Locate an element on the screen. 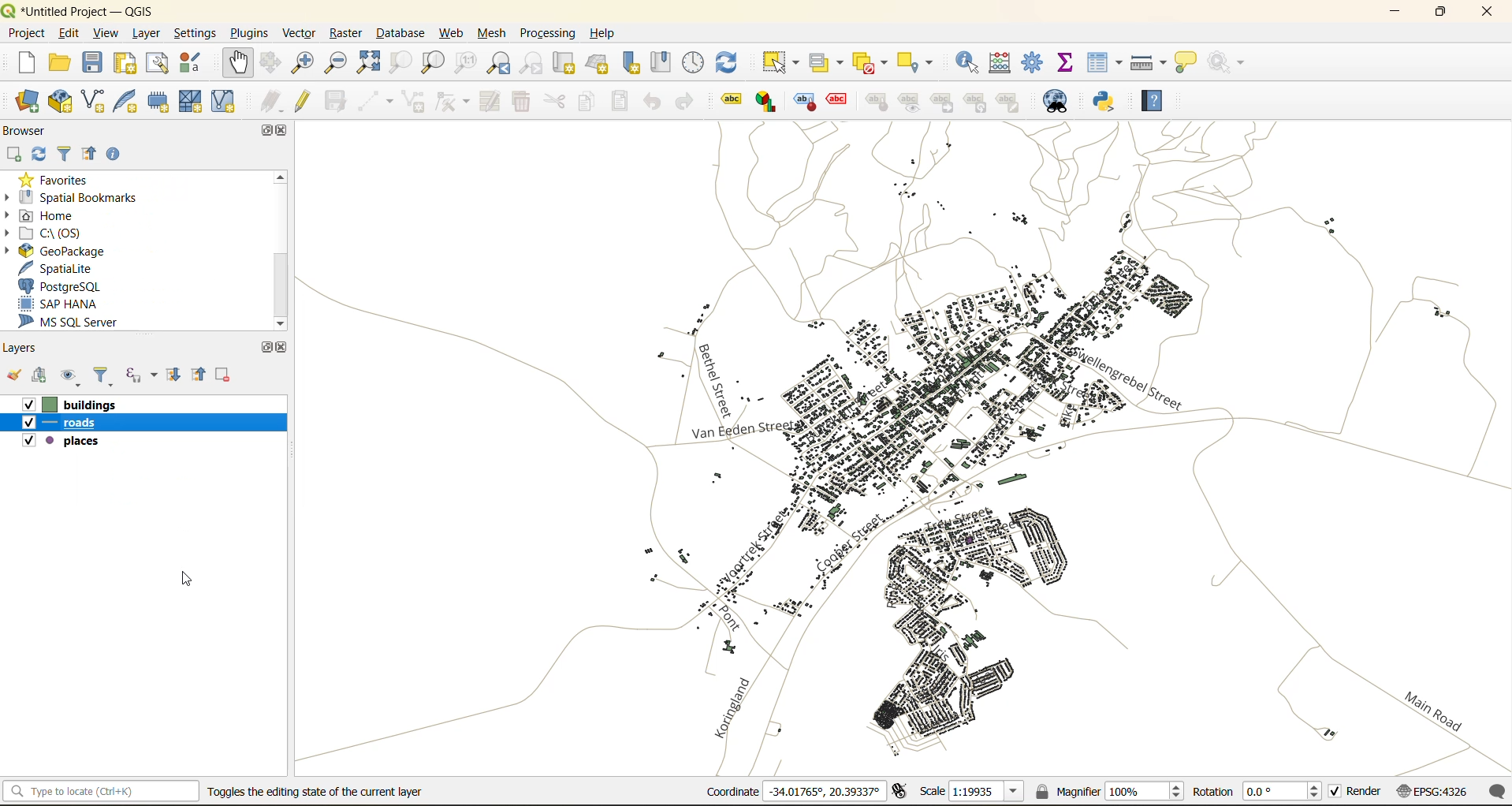 Image resolution: width=1512 pixels, height=806 pixels. zoom out is located at coordinates (335, 61).